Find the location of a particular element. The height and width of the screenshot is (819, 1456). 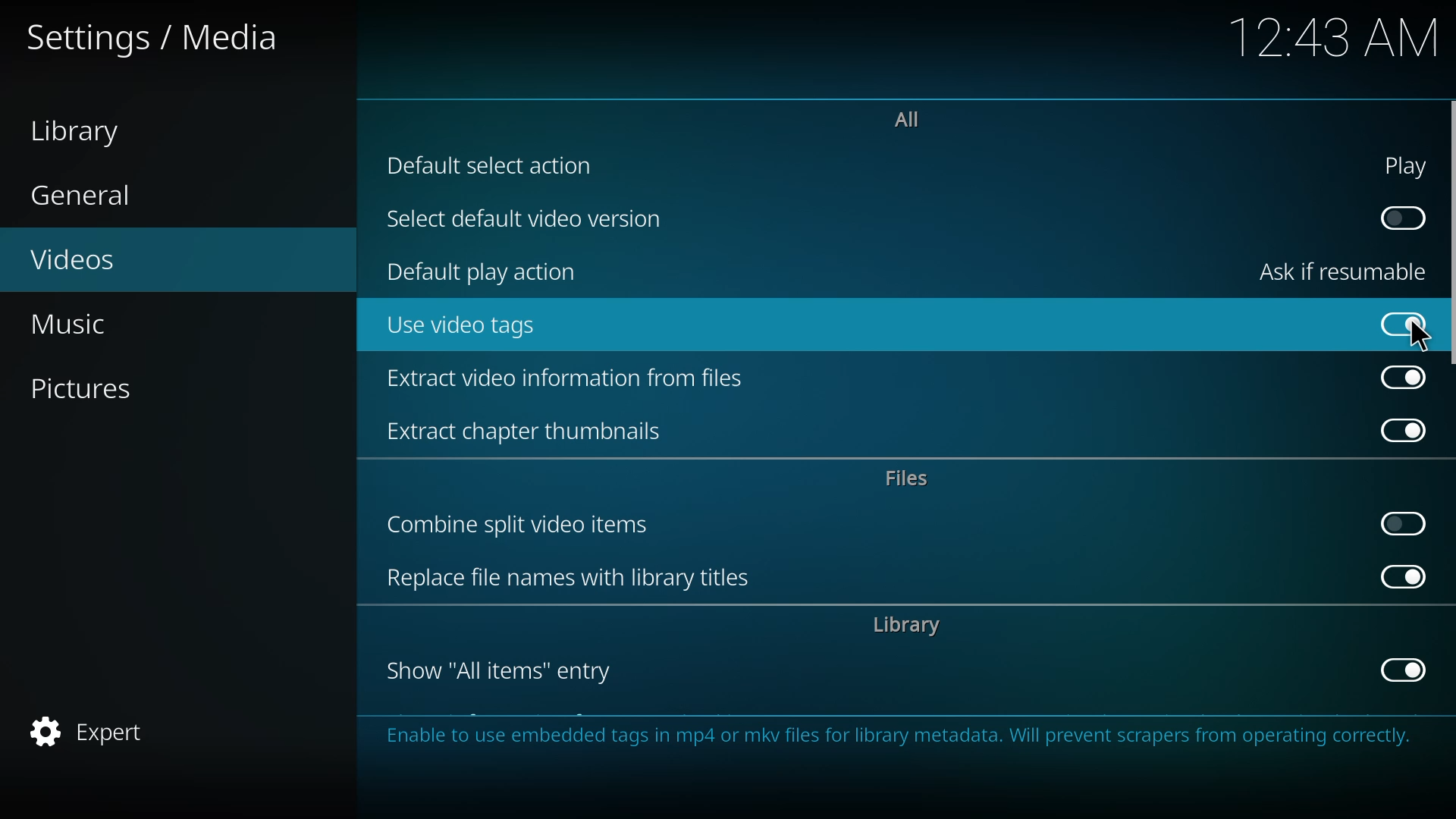

show all items entry is located at coordinates (507, 670).